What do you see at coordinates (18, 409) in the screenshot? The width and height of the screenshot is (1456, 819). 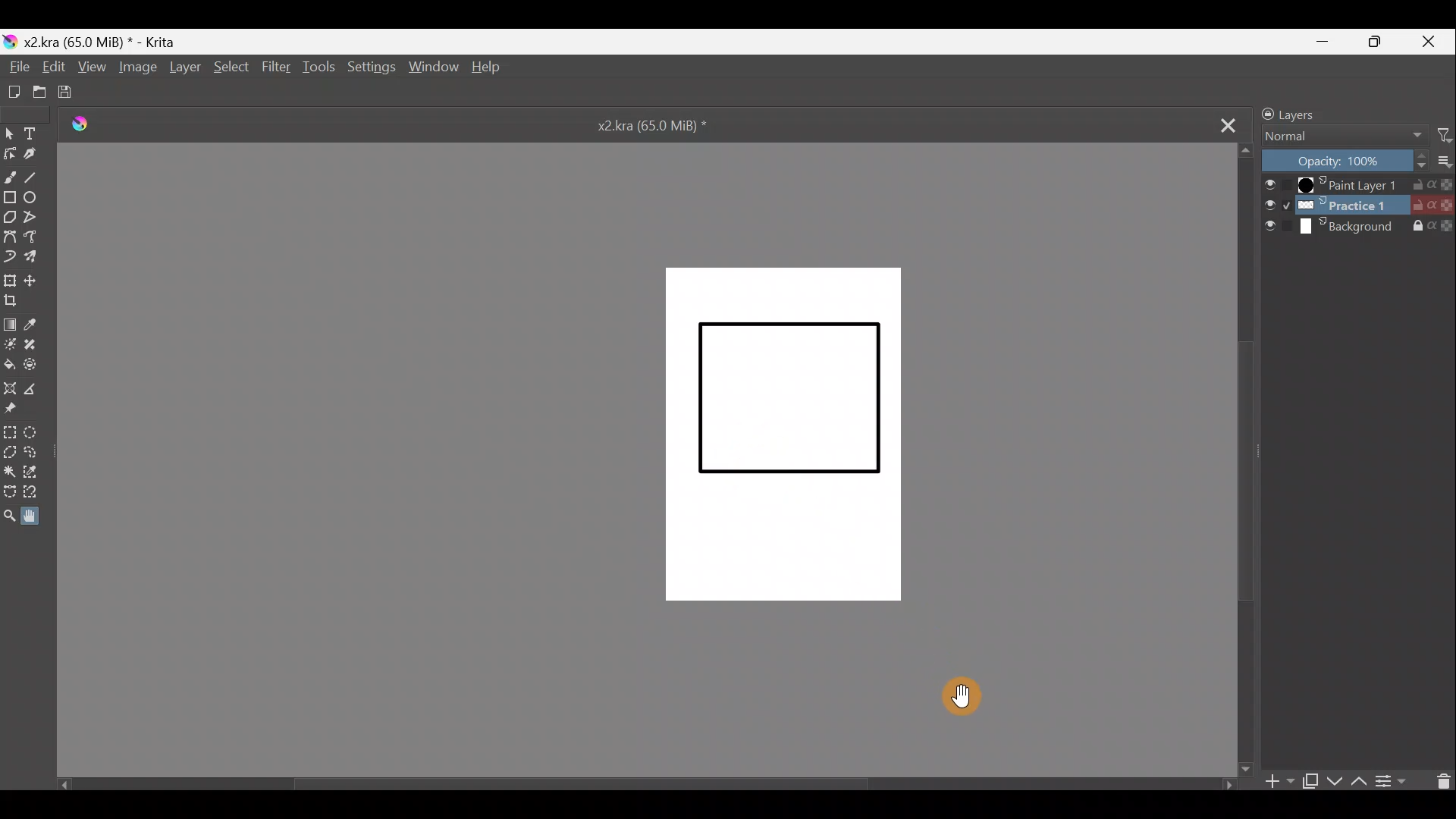 I see `Reference images tool` at bounding box center [18, 409].